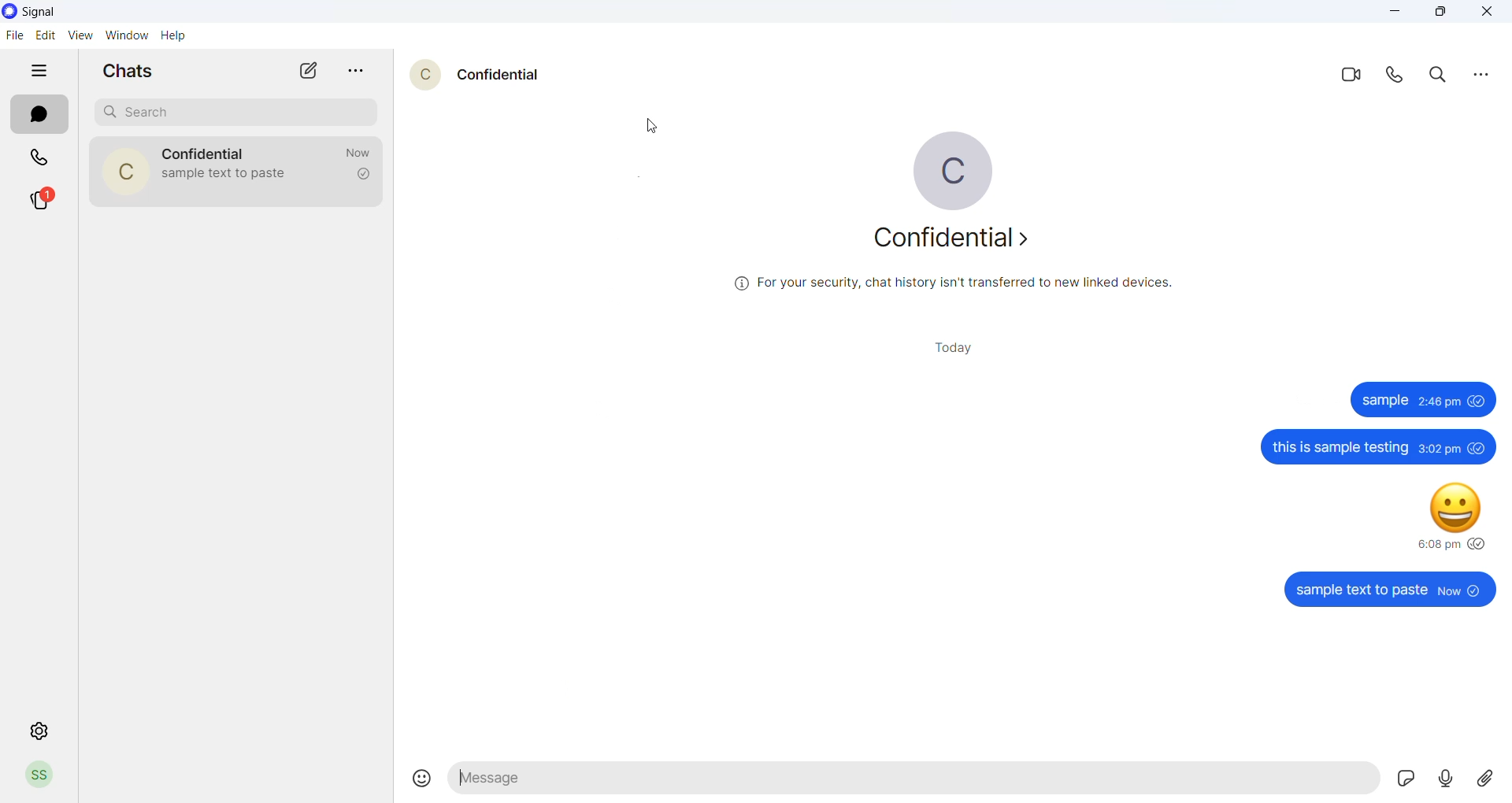 Image resolution: width=1512 pixels, height=803 pixels. What do you see at coordinates (1447, 779) in the screenshot?
I see `voice note` at bounding box center [1447, 779].